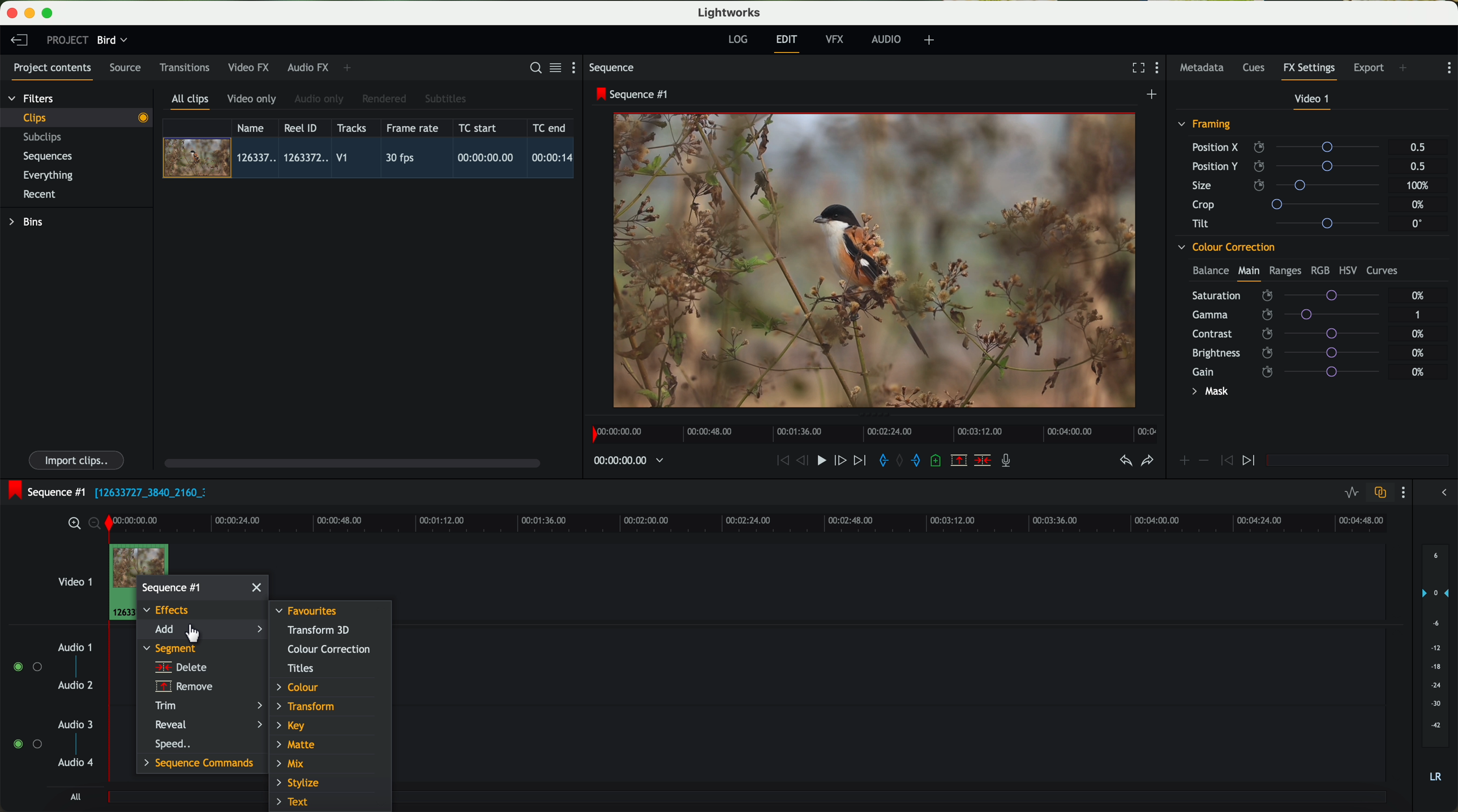 This screenshot has width=1458, height=812. Describe the element at coordinates (1250, 461) in the screenshot. I see `icon` at that location.